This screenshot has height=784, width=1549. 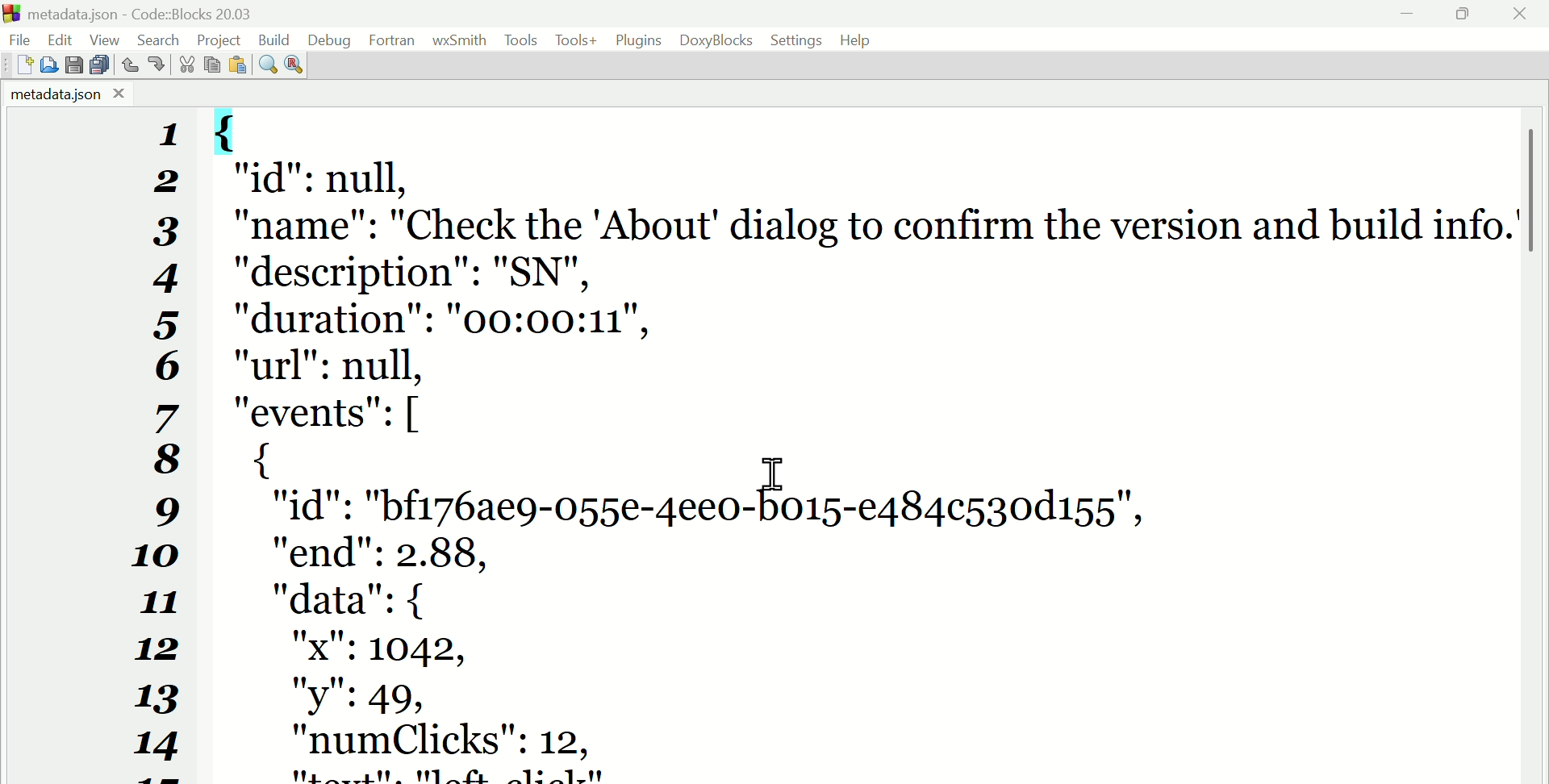 I want to click on Undo, so click(x=132, y=61).